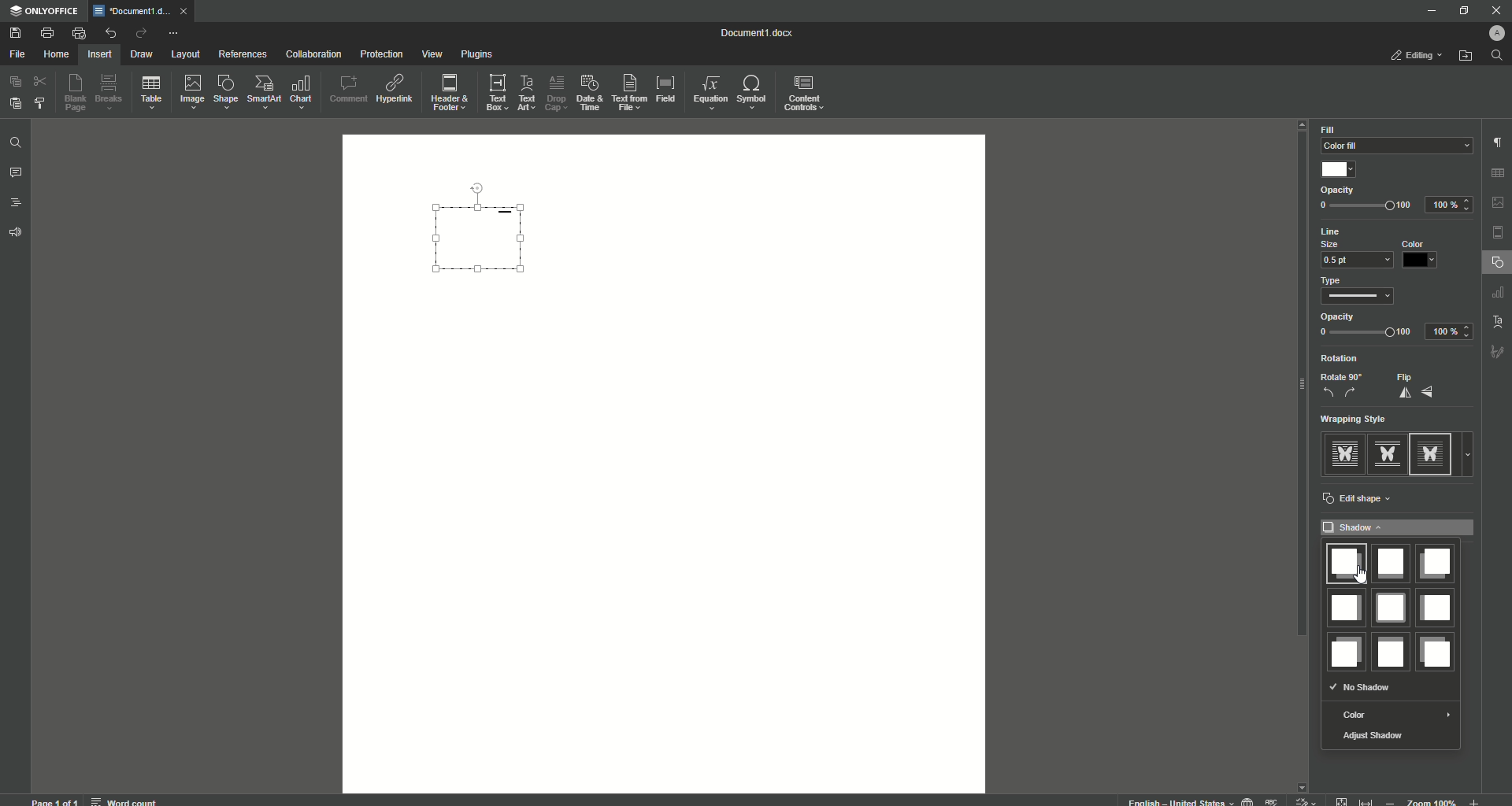  What do you see at coordinates (302, 92) in the screenshot?
I see `Chart` at bounding box center [302, 92].